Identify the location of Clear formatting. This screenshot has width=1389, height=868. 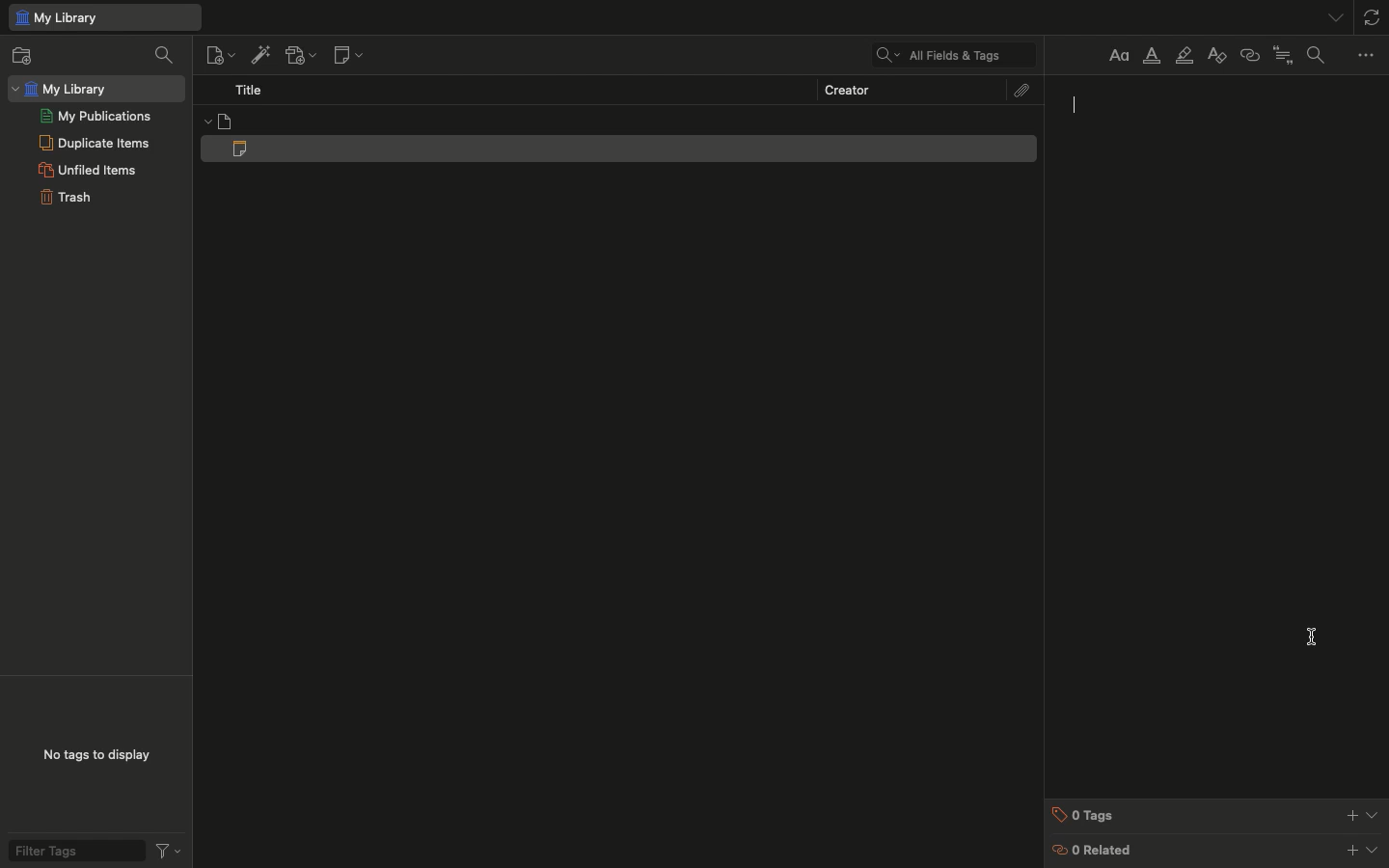
(1216, 55).